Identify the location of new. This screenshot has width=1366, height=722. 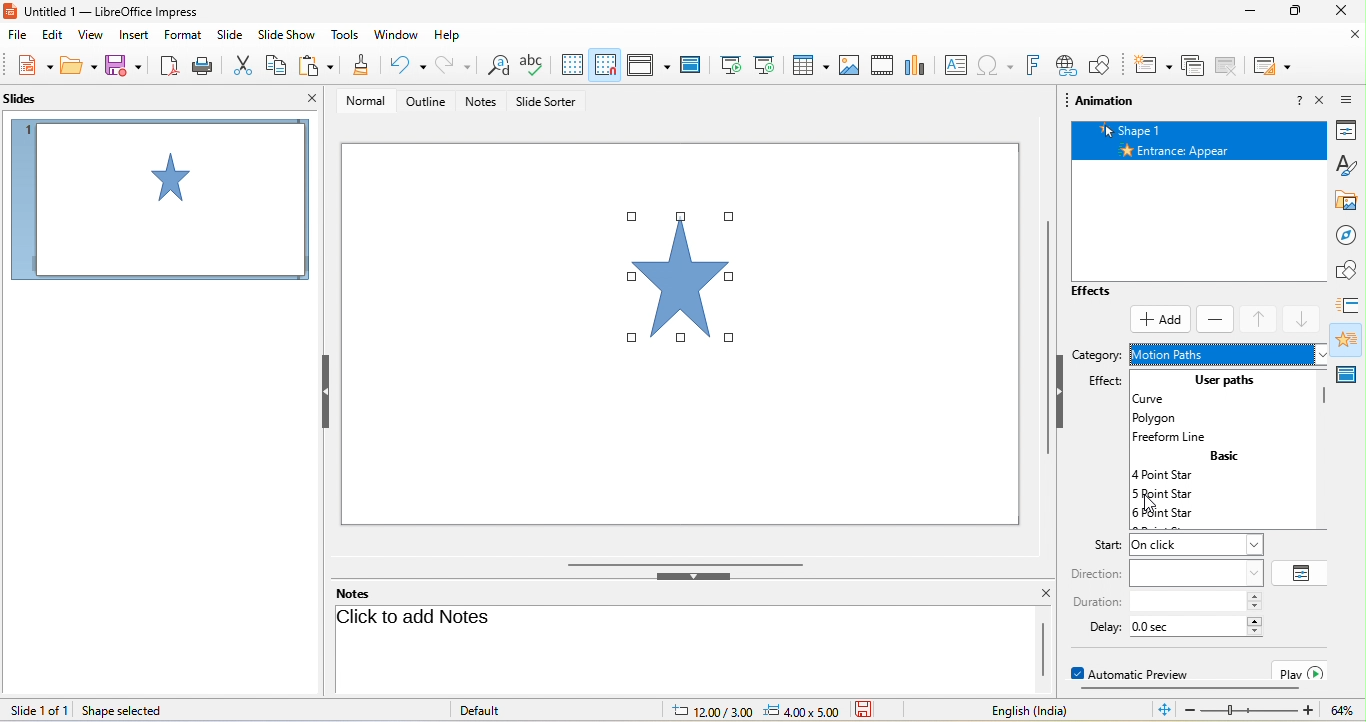
(33, 65).